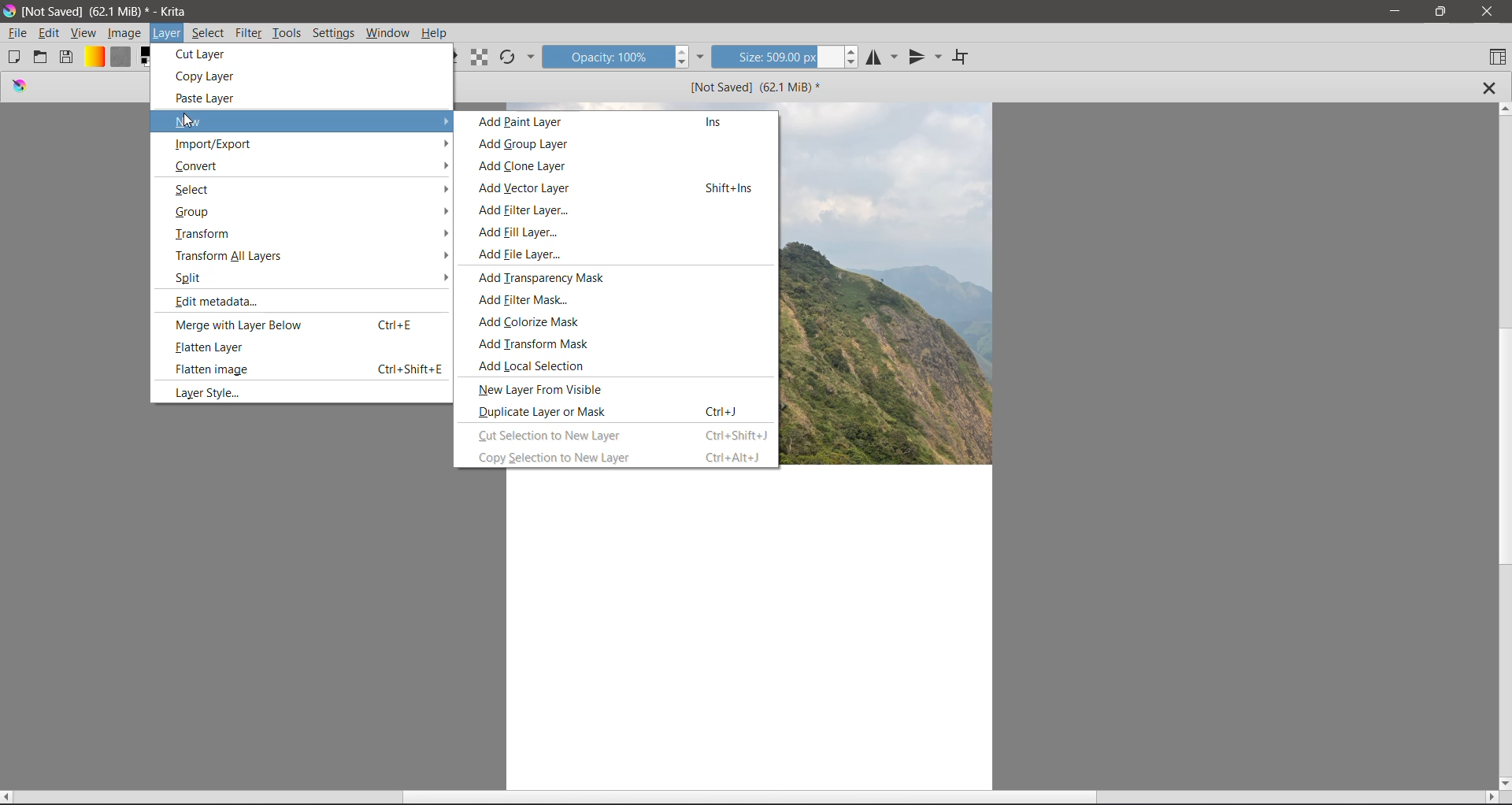 Image resolution: width=1512 pixels, height=805 pixels. Describe the element at coordinates (550, 389) in the screenshot. I see `New Layer From Visible` at that location.